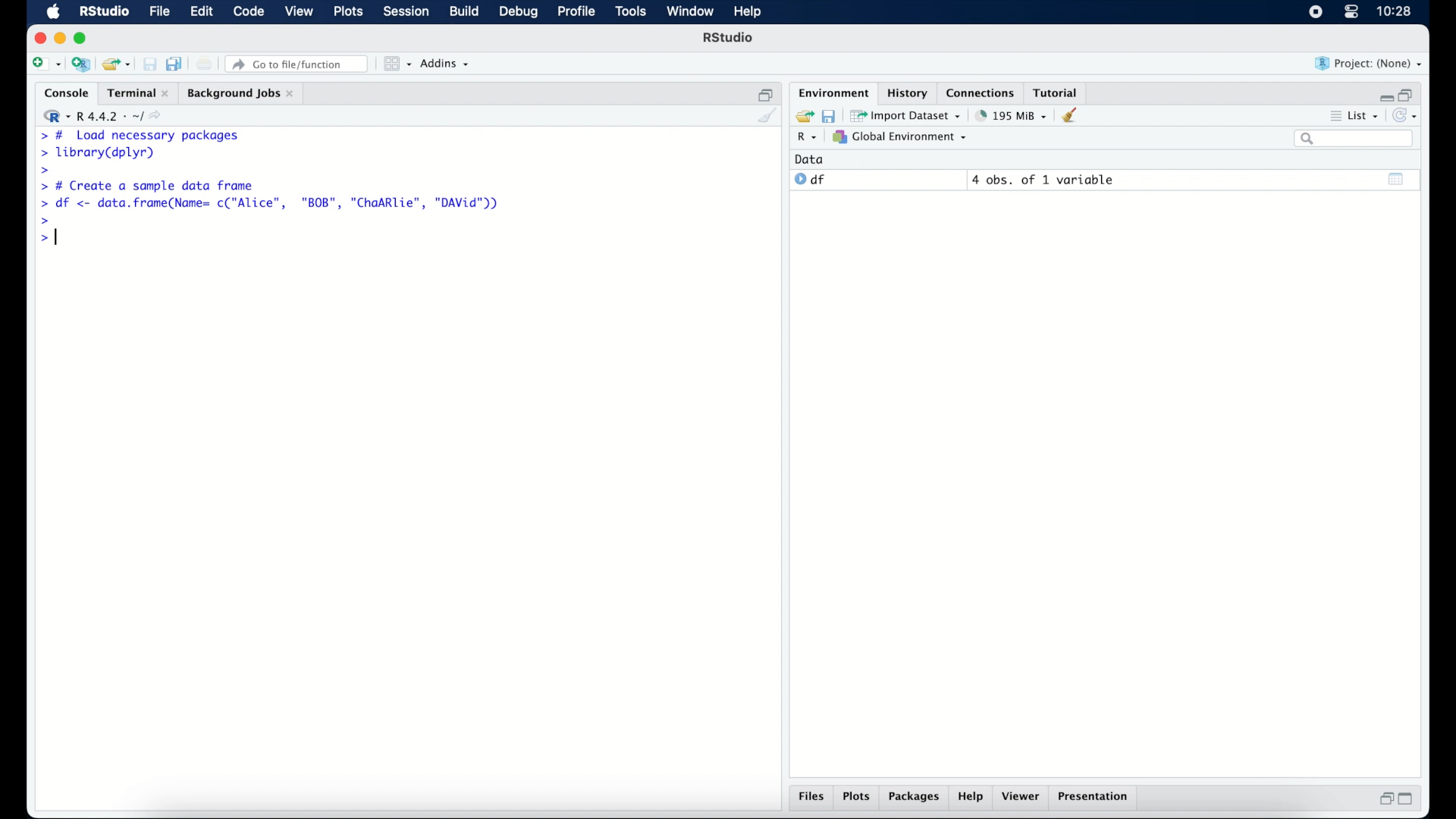  Describe the element at coordinates (240, 93) in the screenshot. I see `background jobs` at that location.